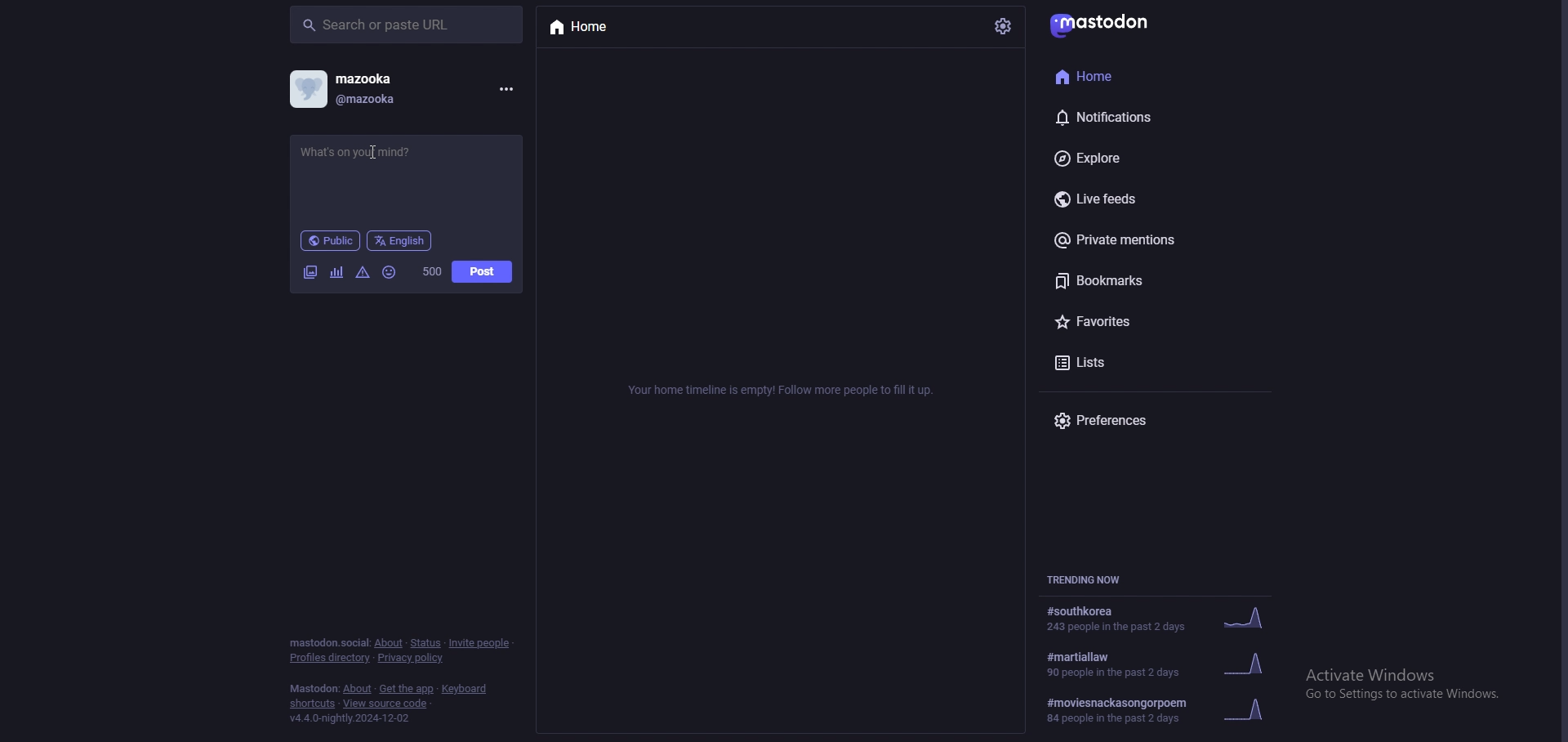 The width and height of the screenshot is (1568, 742). I want to click on trending, so click(1165, 617).